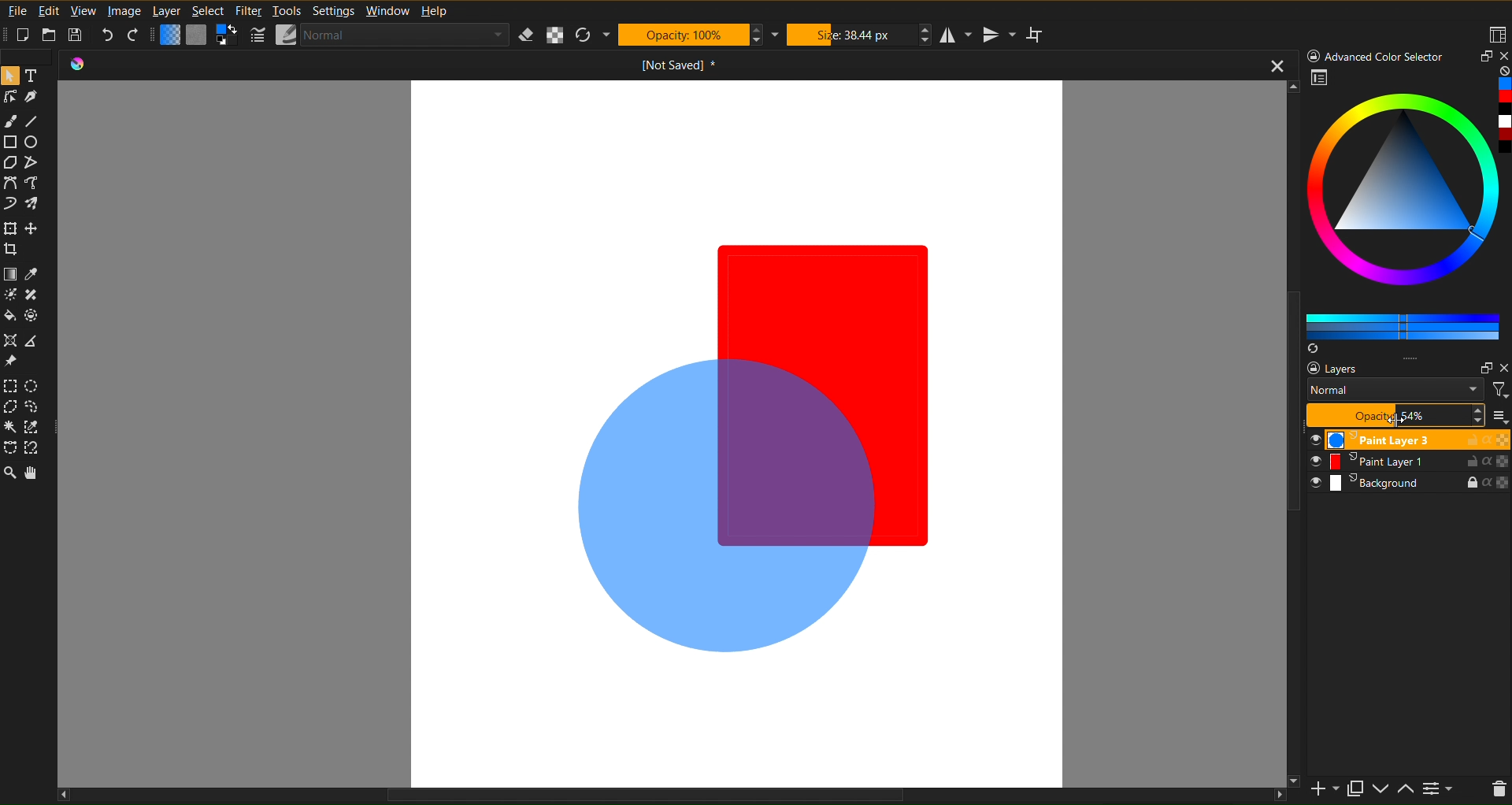 The height and width of the screenshot is (805, 1512). Describe the element at coordinates (1374, 55) in the screenshot. I see `Advanced Color Selector` at that location.